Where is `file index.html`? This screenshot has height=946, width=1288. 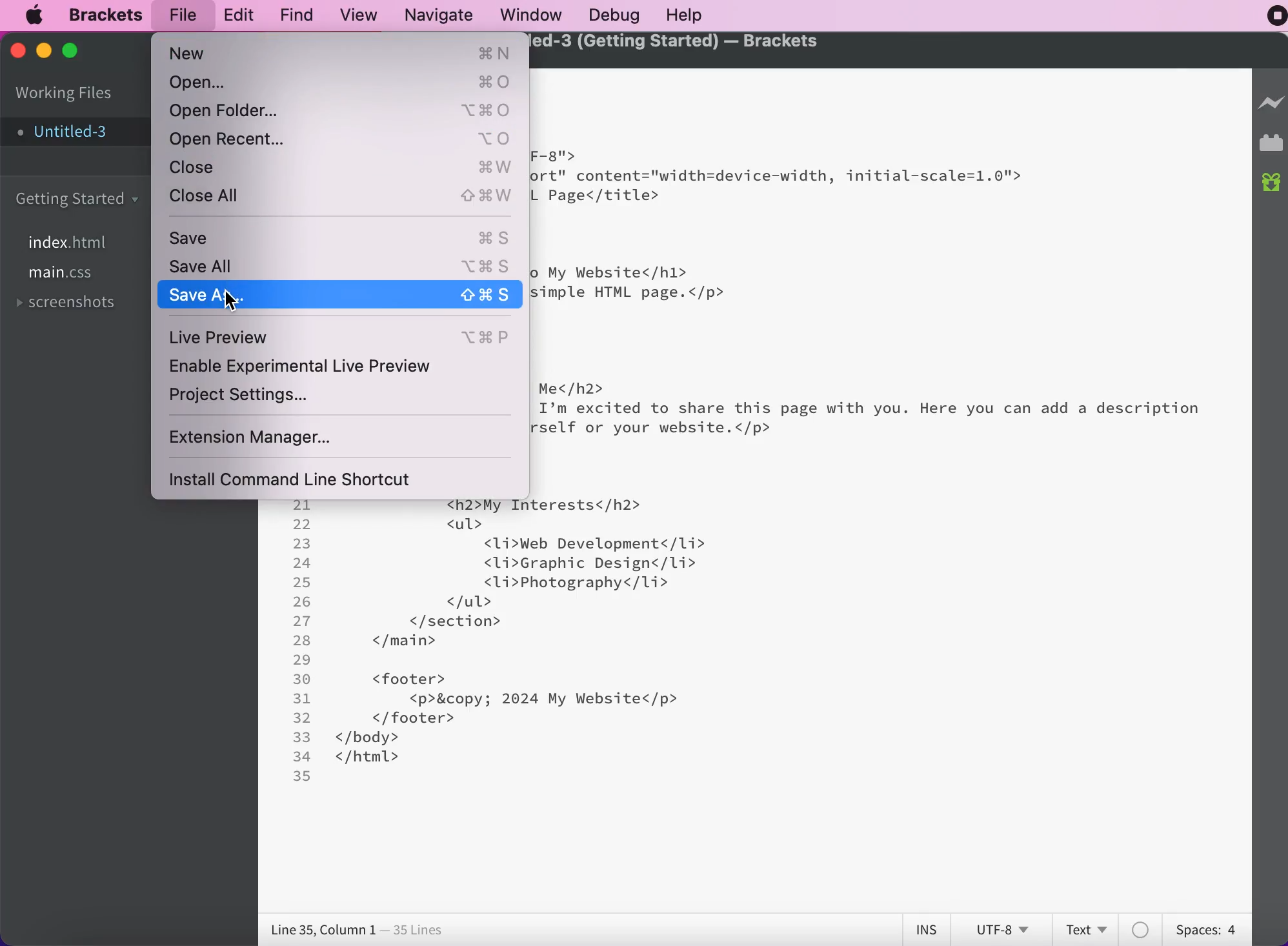
file index.html is located at coordinates (75, 243).